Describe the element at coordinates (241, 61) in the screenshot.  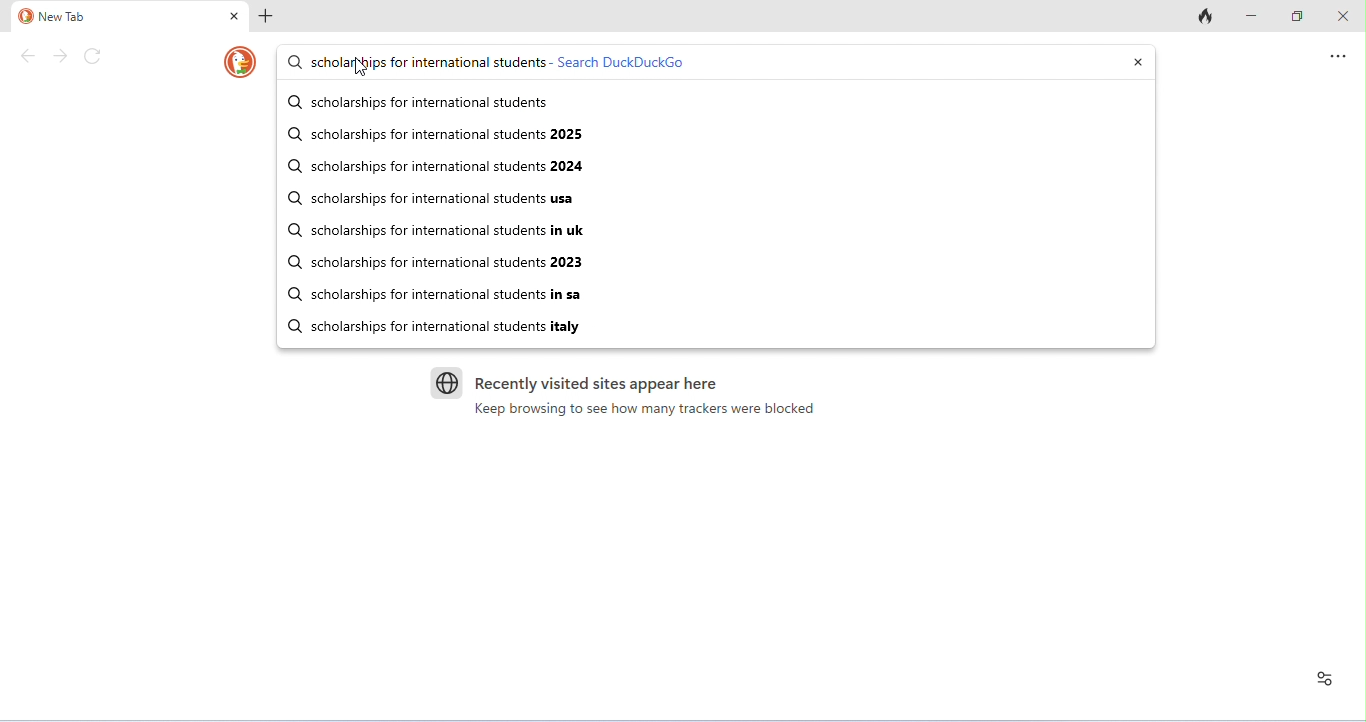
I see `DuckDuckGo logo` at that location.